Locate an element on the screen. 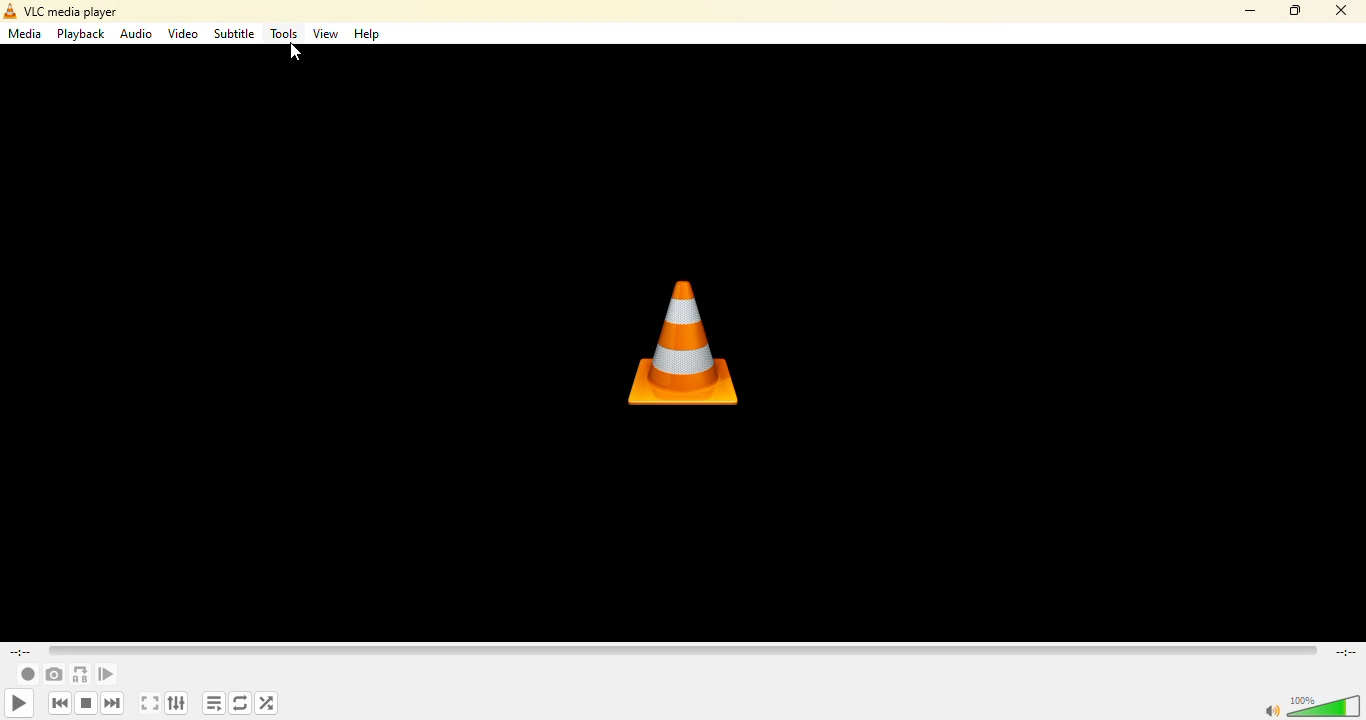  audio is located at coordinates (136, 36).